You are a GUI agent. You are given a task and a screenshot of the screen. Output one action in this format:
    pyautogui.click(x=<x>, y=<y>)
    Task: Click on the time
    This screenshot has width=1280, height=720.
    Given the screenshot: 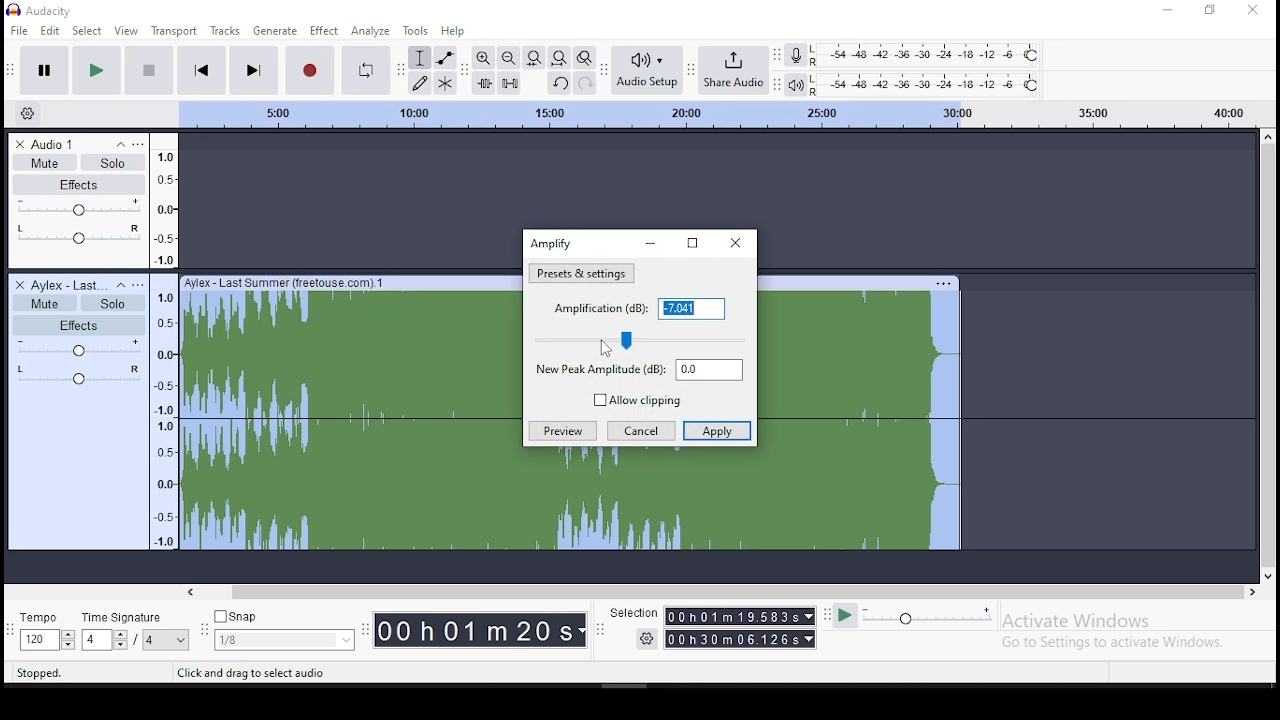 What is the action you would take?
    pyautogui.click(x=740, y=629)
    